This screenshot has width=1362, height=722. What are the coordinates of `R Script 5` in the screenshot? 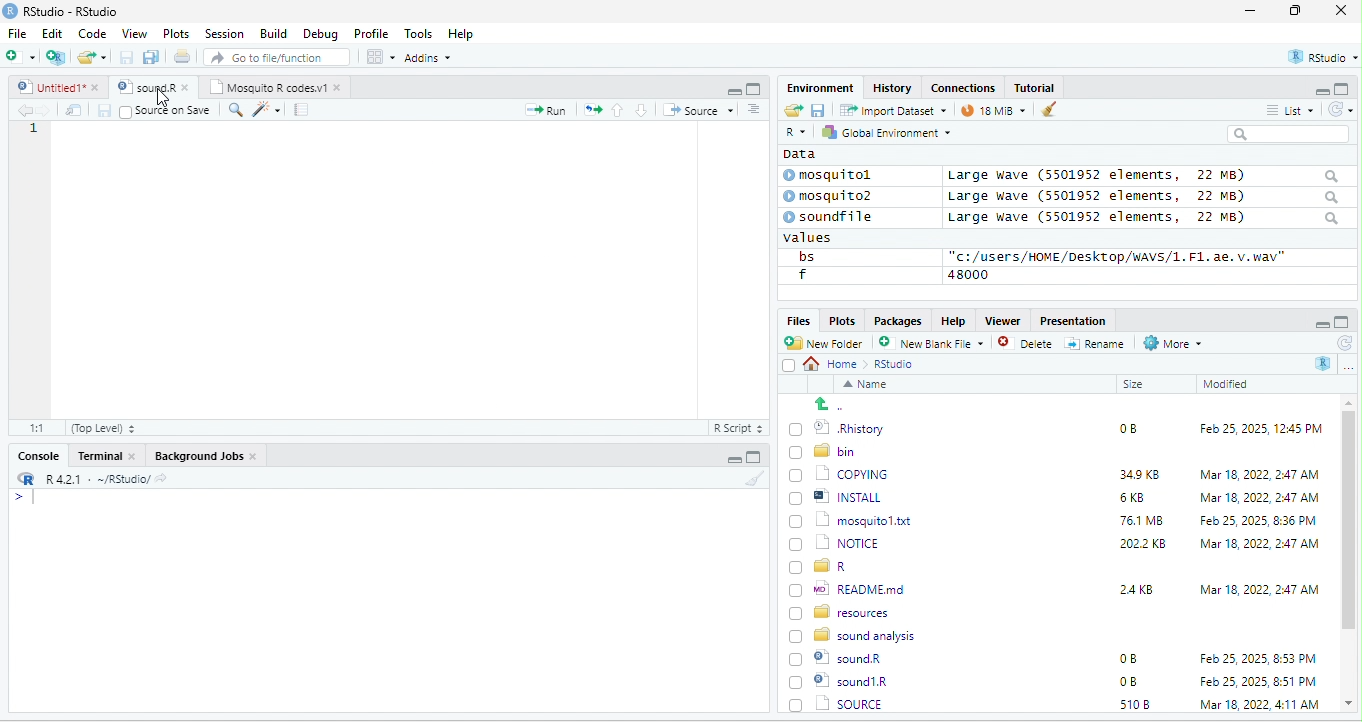 It's located at (739, 428).